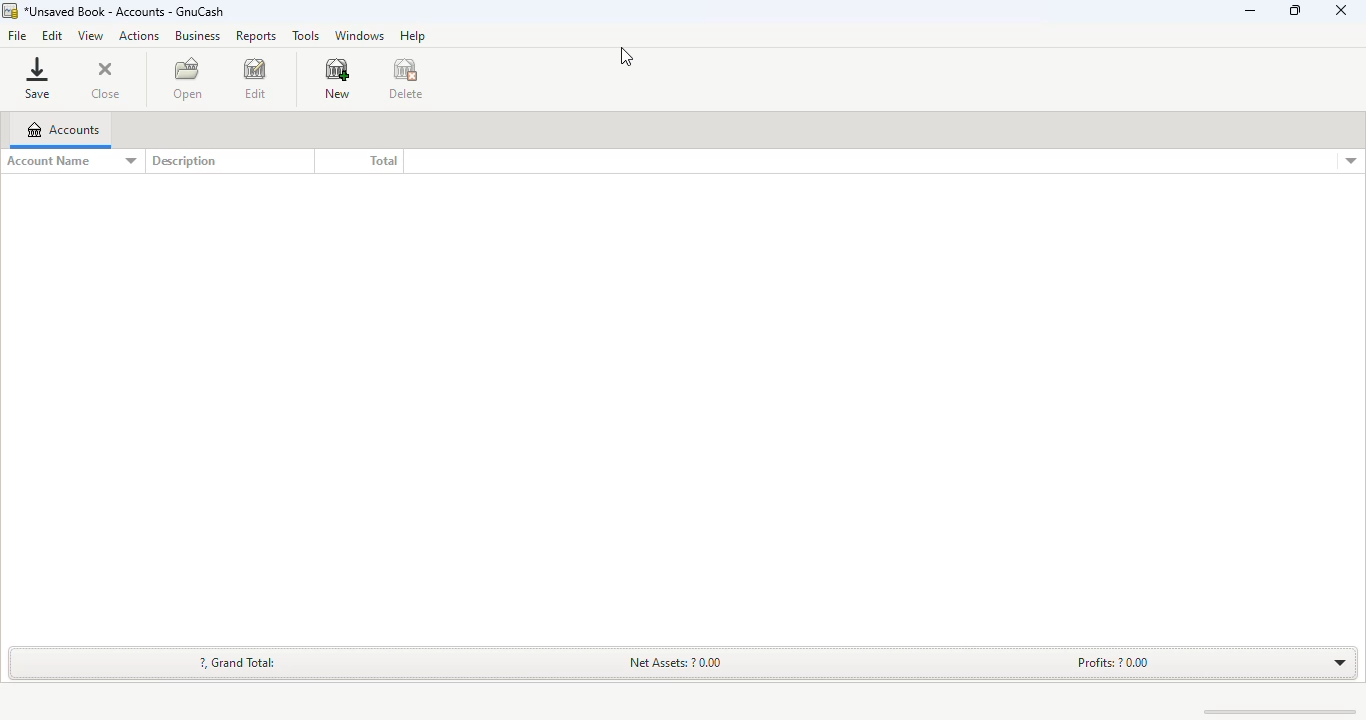  Describe the element at coordinates (1269, 711) in the screenshot. I see `scroll` at that location.